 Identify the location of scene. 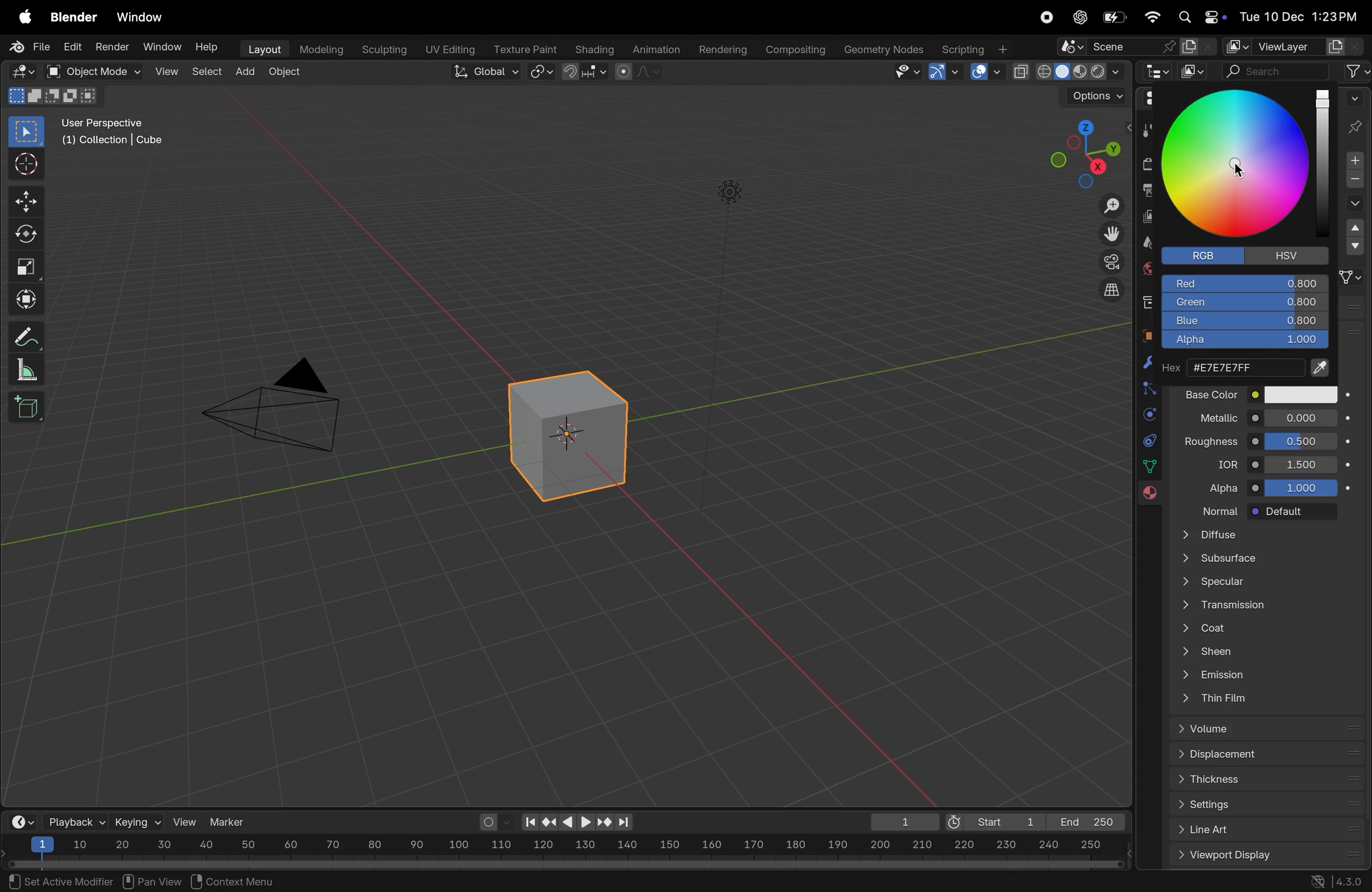
(1137, 47).